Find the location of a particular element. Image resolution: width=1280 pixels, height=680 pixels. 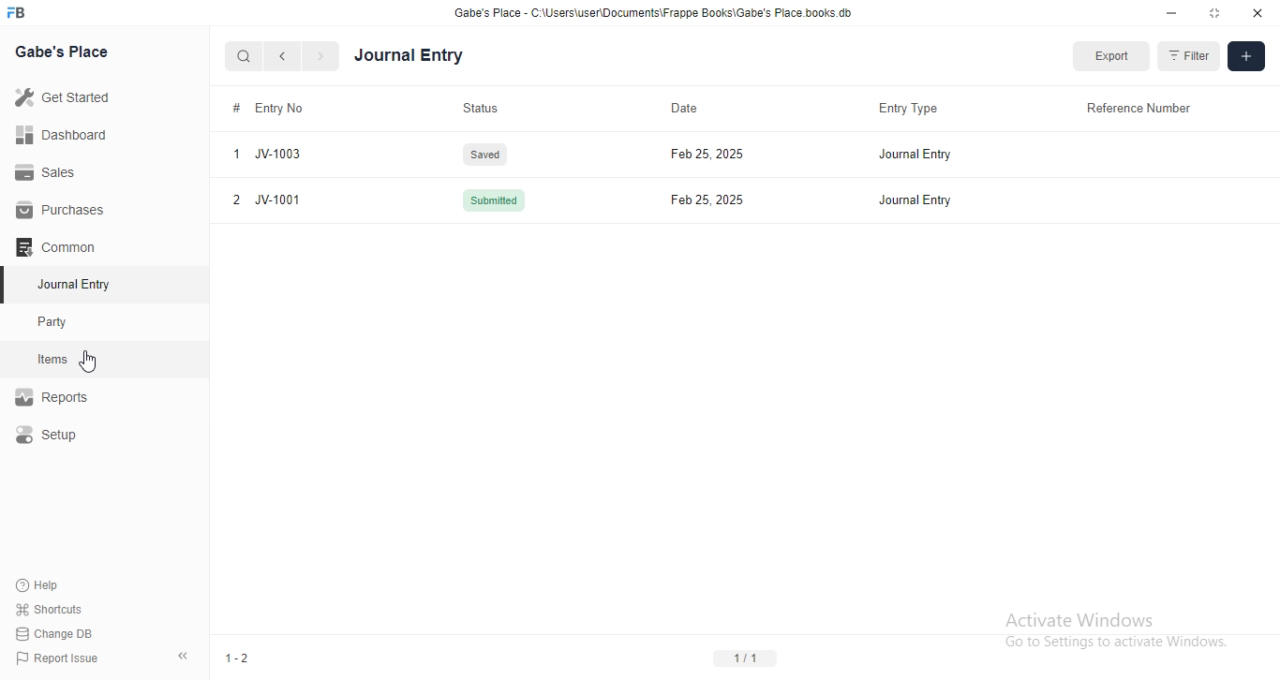

Change DB is located at coordinates (60, 631).